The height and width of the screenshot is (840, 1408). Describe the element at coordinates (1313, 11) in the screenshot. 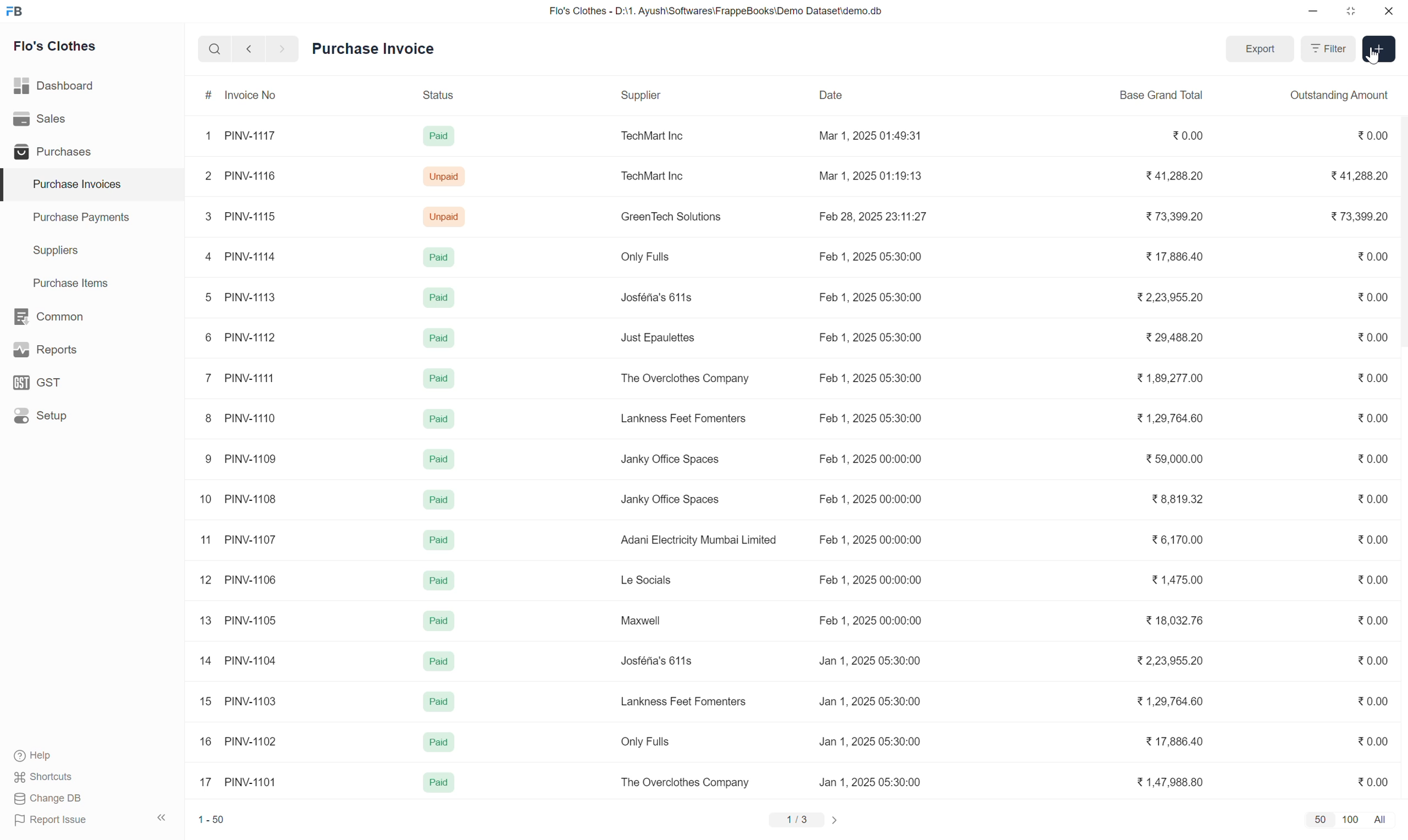

I see `Minimize` at that location.